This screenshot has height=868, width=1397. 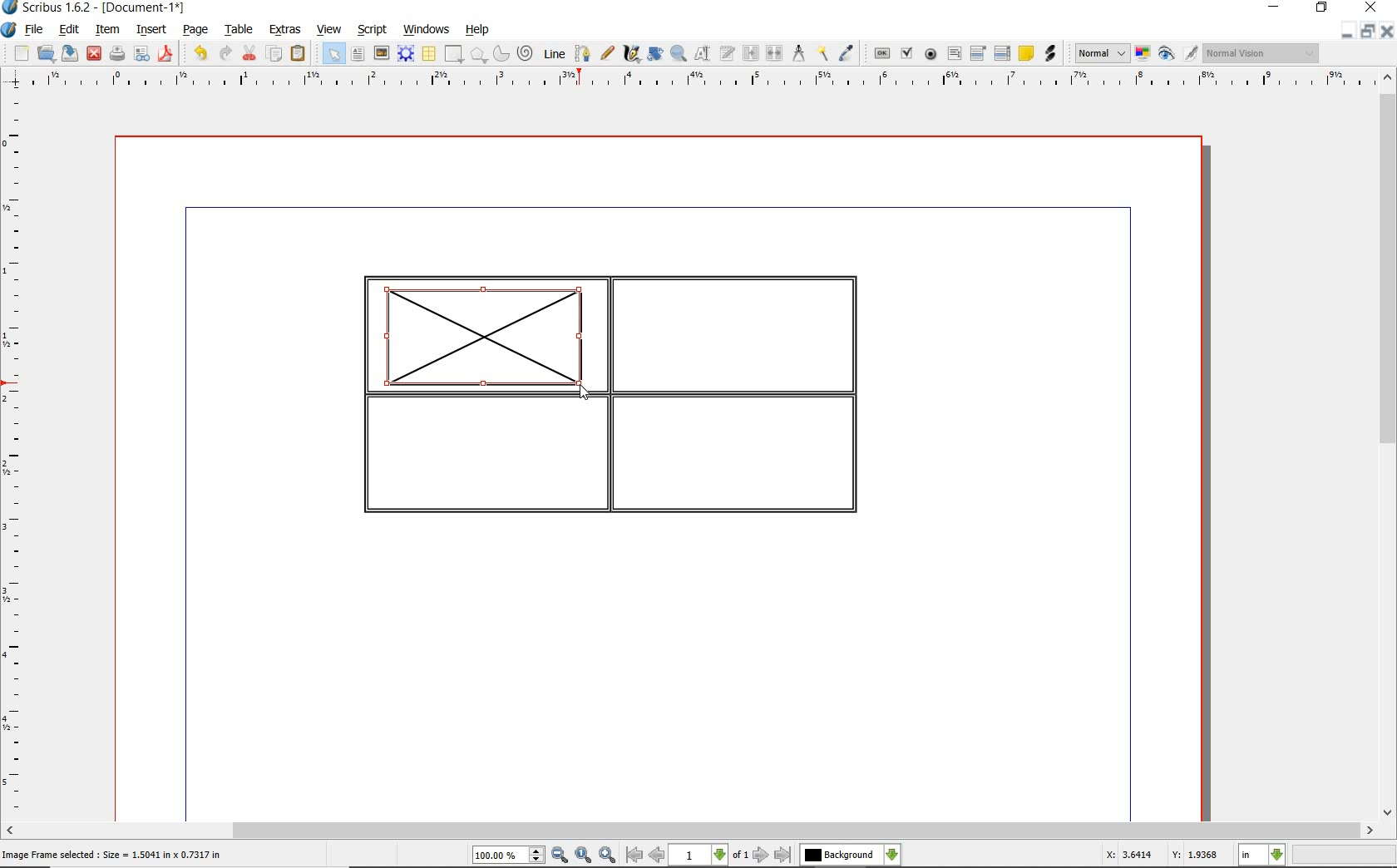 What do you see at coordinates (1167, 55) in the screenshot?
I see `preview mode` at bounding box center [1167, 55].